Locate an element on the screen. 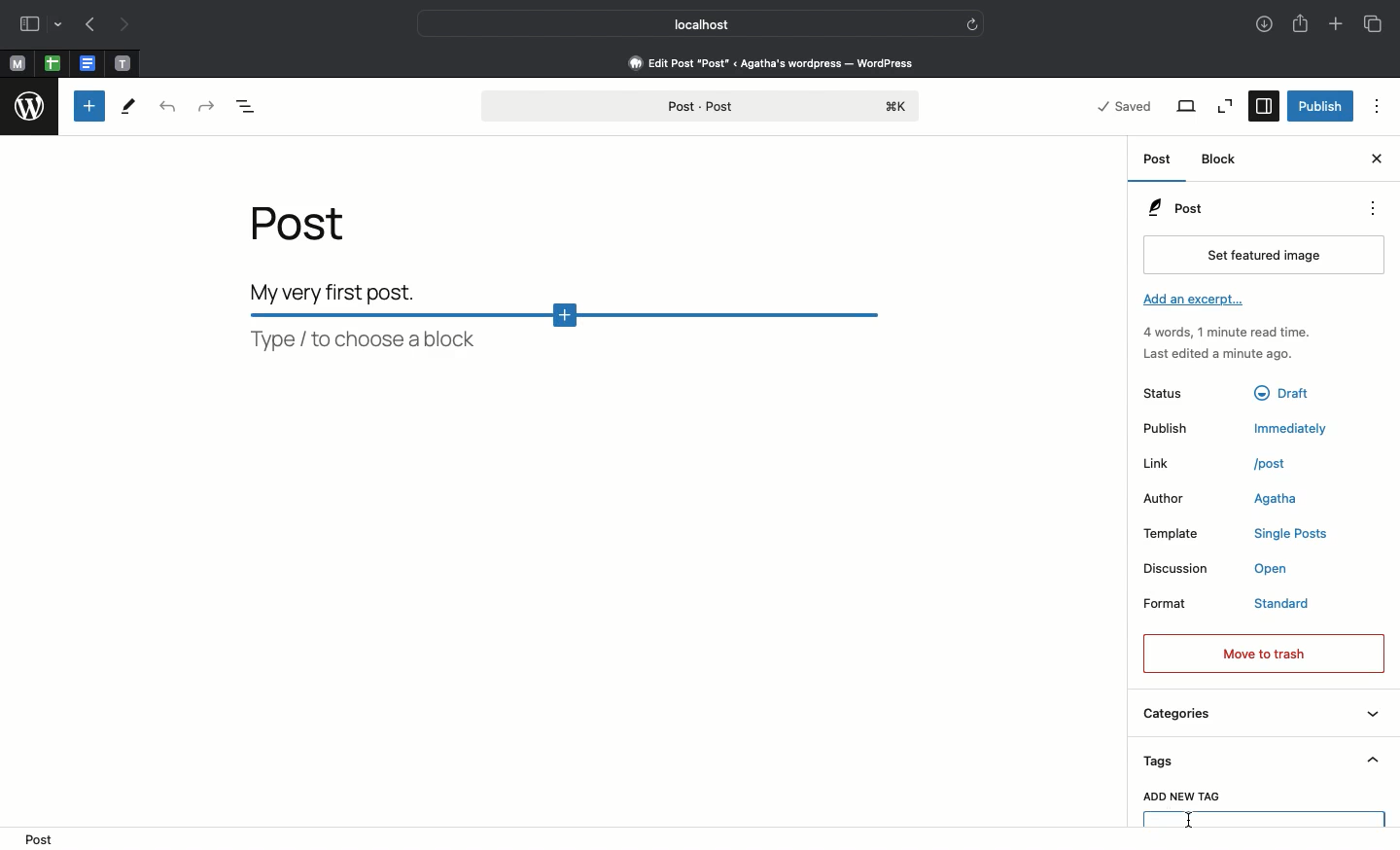  Previous page is located at coordinates (87, 23).